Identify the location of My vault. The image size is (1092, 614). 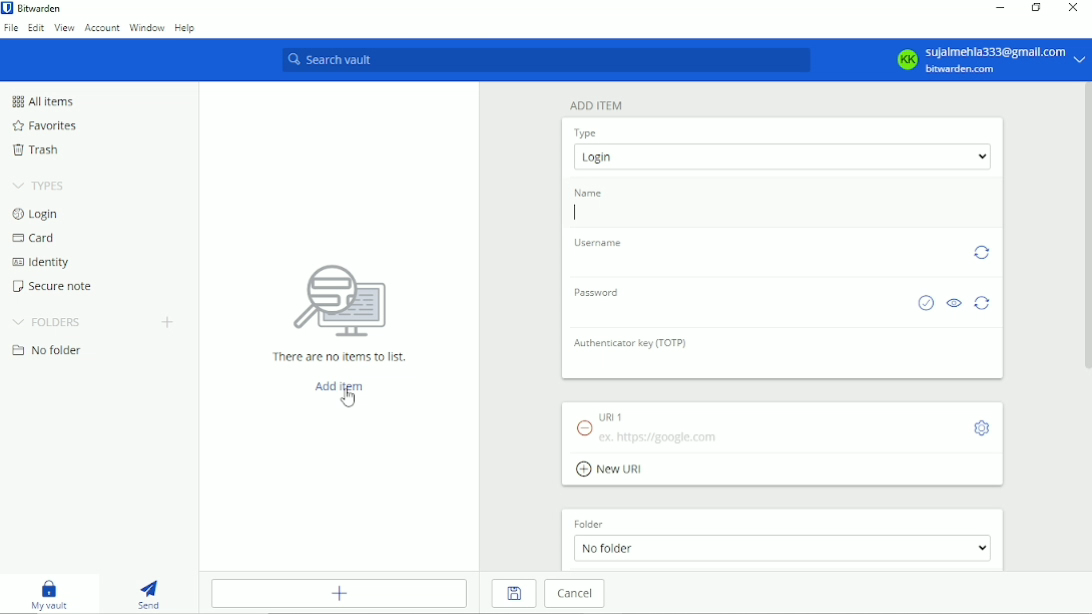
(48, 595).